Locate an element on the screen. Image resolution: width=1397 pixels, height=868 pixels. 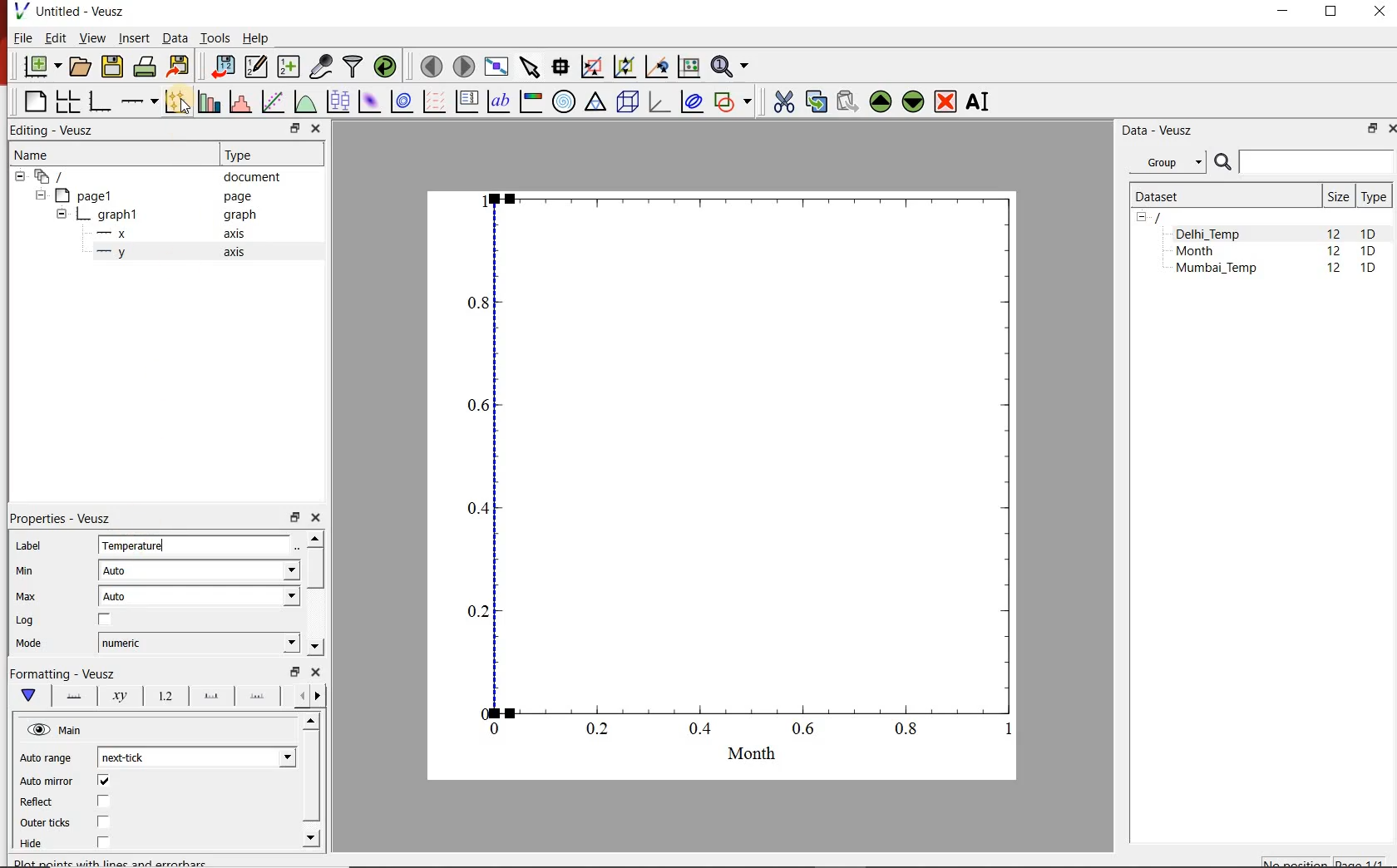
Help is located at coordinates (256, 37).